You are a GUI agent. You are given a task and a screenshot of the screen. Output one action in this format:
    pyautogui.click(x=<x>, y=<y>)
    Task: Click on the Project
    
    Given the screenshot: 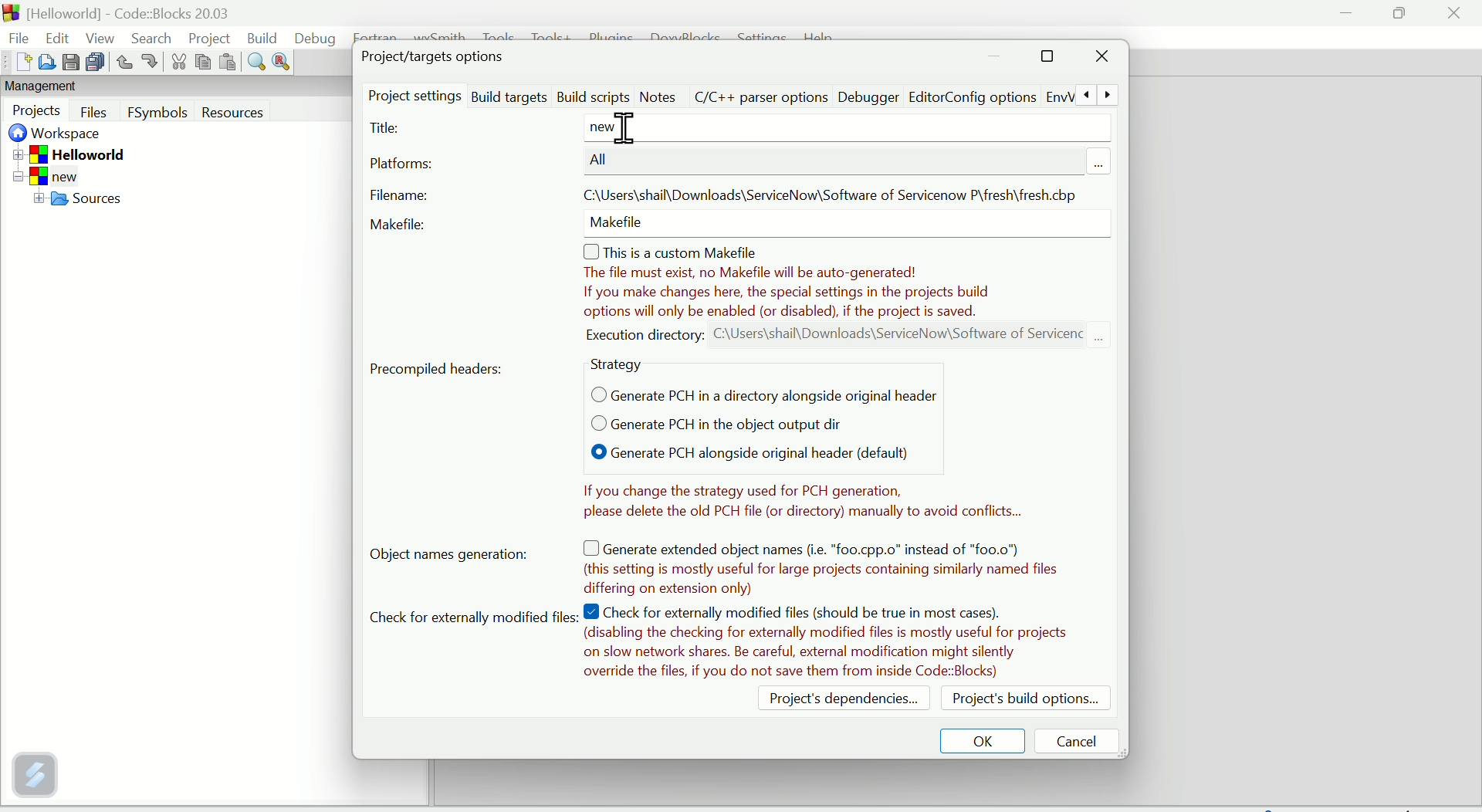 What is the action you would take?
    pyautogui.click(x=209, y=39)
    